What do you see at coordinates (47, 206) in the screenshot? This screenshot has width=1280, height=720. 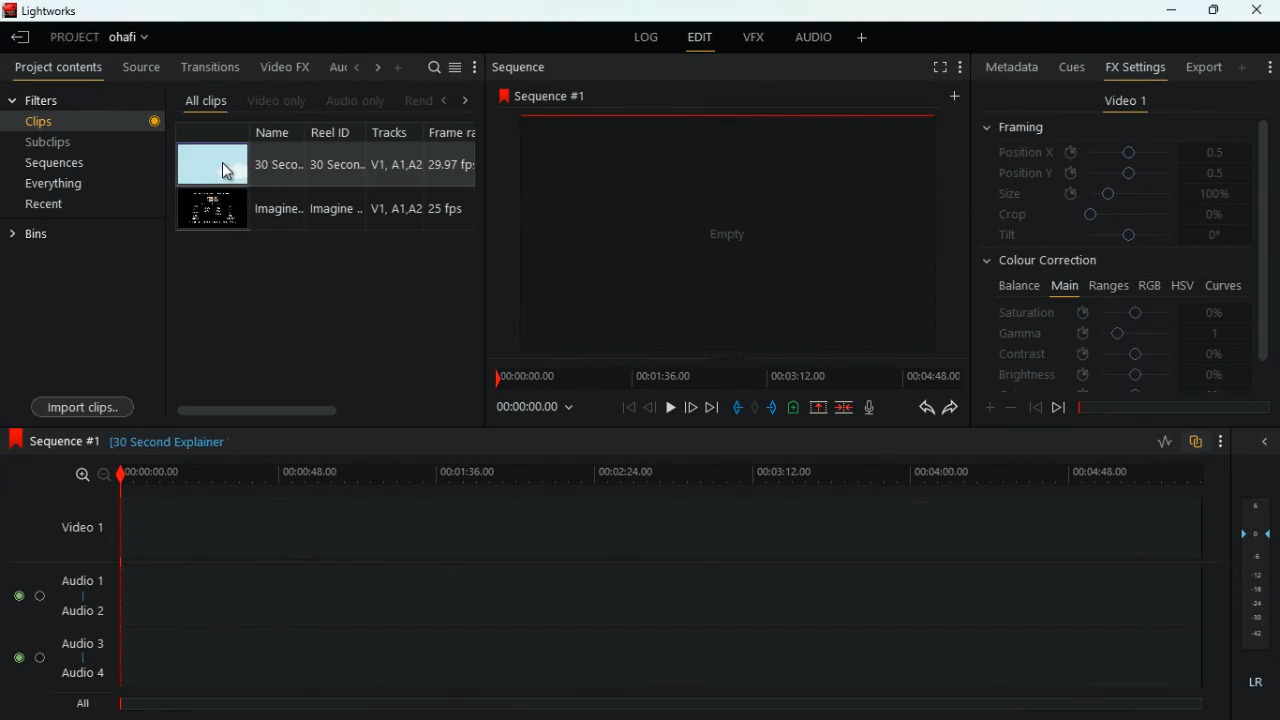 I see `recent` at bounding box center [47, 206].